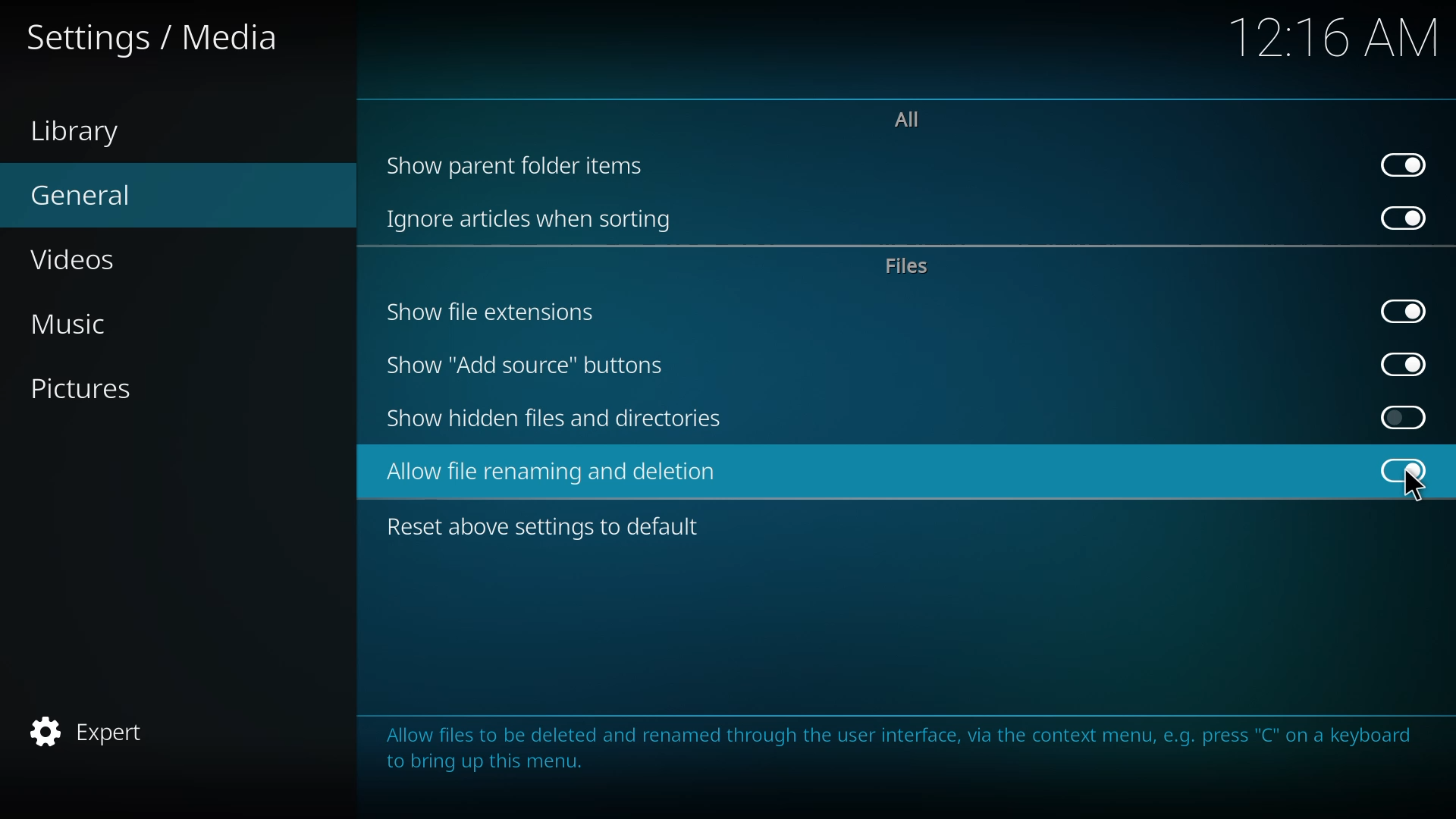  Describe the element at coordinates (555, 472) in the screenshot. I see `allow file renaming and deletion` at that location.